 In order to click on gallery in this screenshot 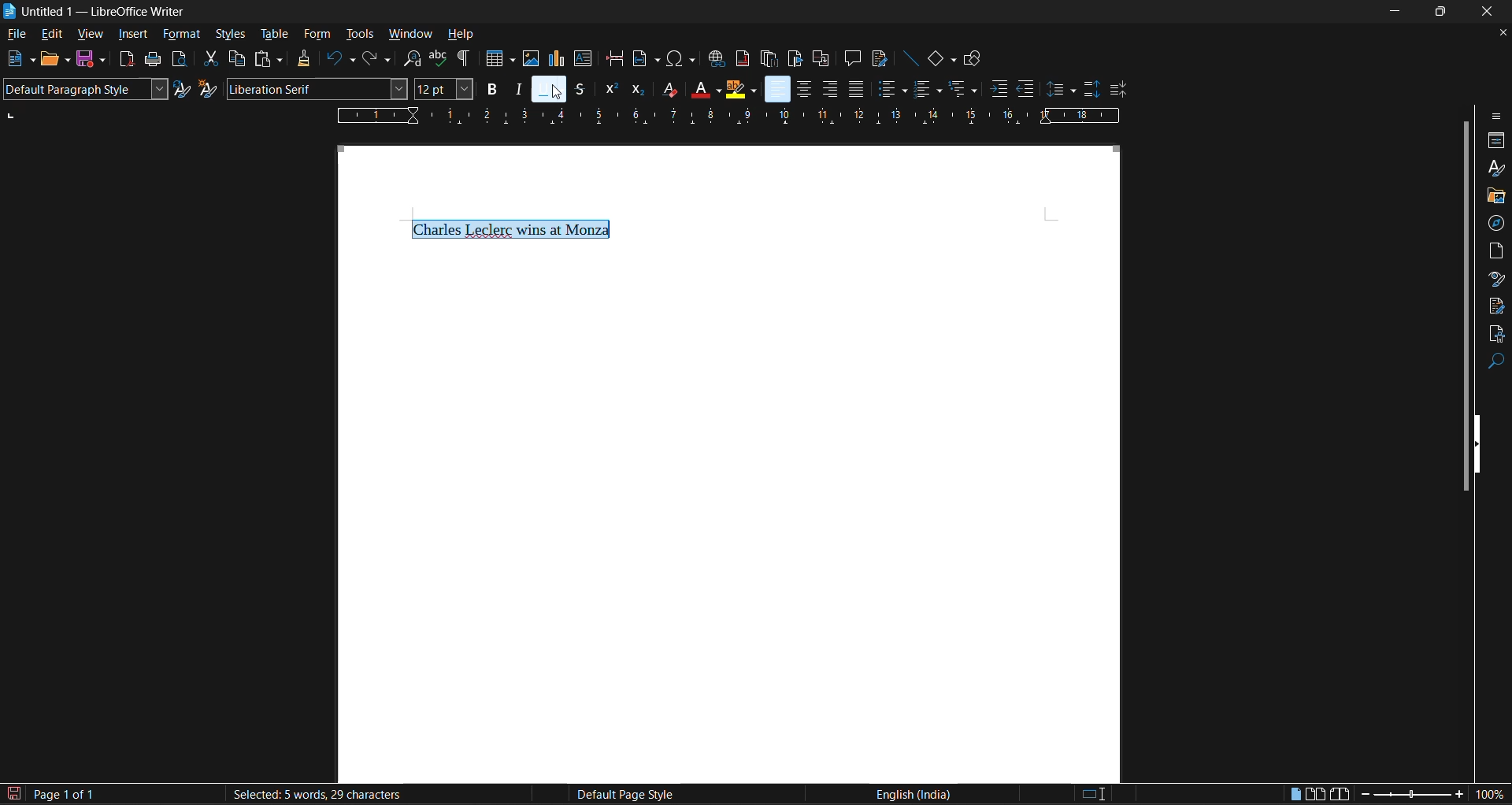, I will do `click(1495, 197)`.